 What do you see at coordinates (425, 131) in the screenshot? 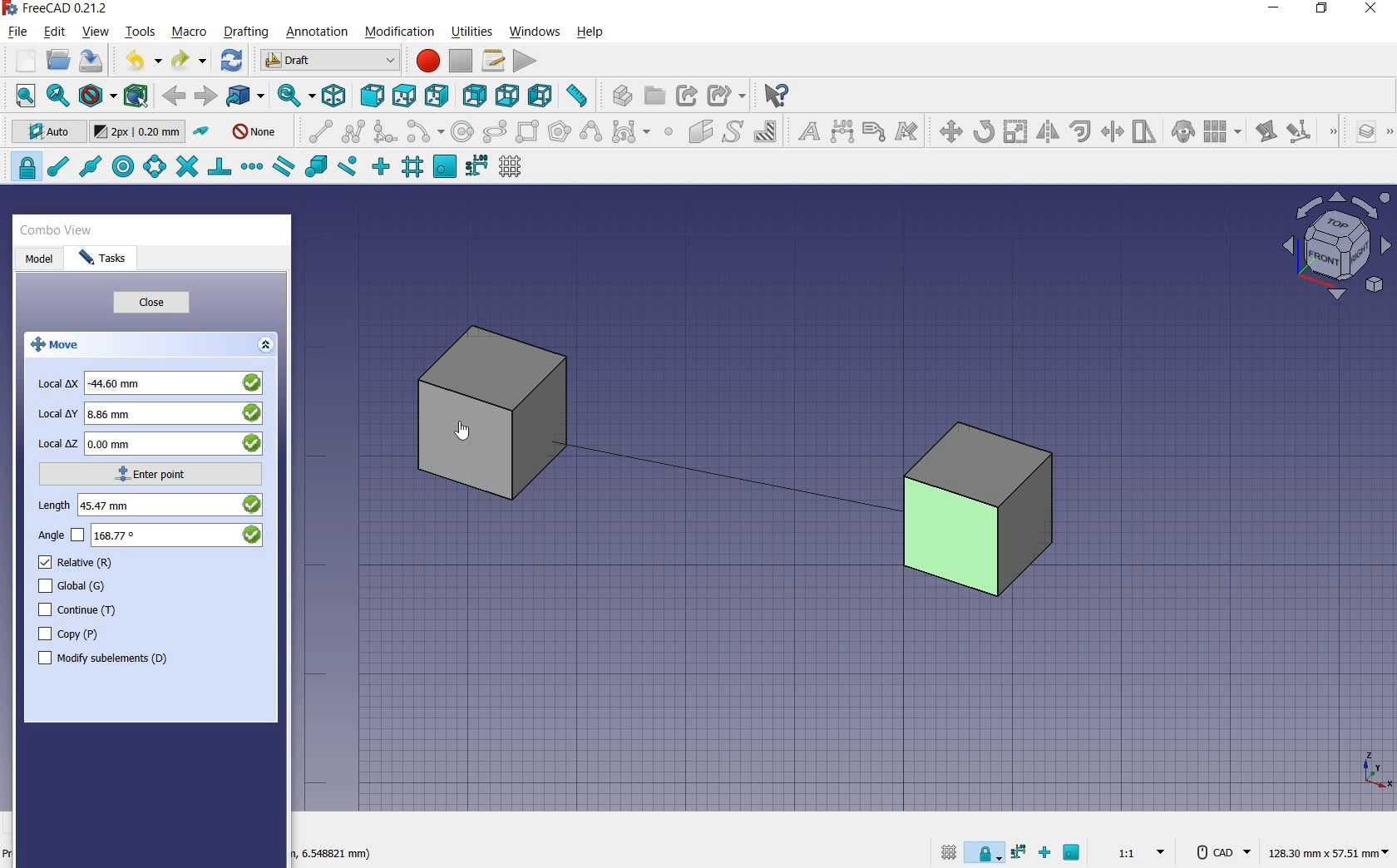
I see `arc tools` at bounding box center [425, 131].